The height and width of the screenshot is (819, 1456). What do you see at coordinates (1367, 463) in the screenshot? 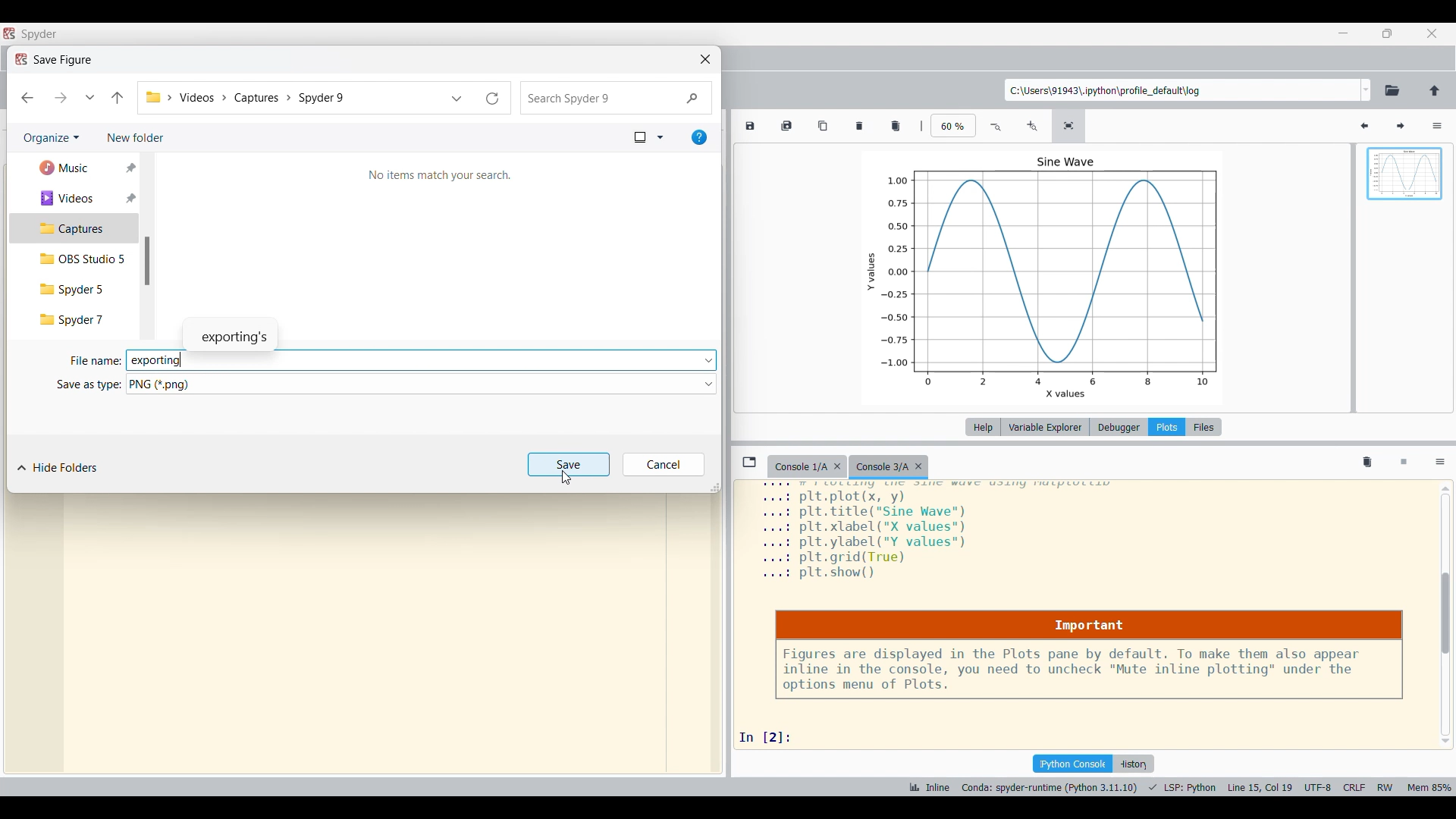
I see `Remove all variables from namespace` at bounding box center [1367, 463].